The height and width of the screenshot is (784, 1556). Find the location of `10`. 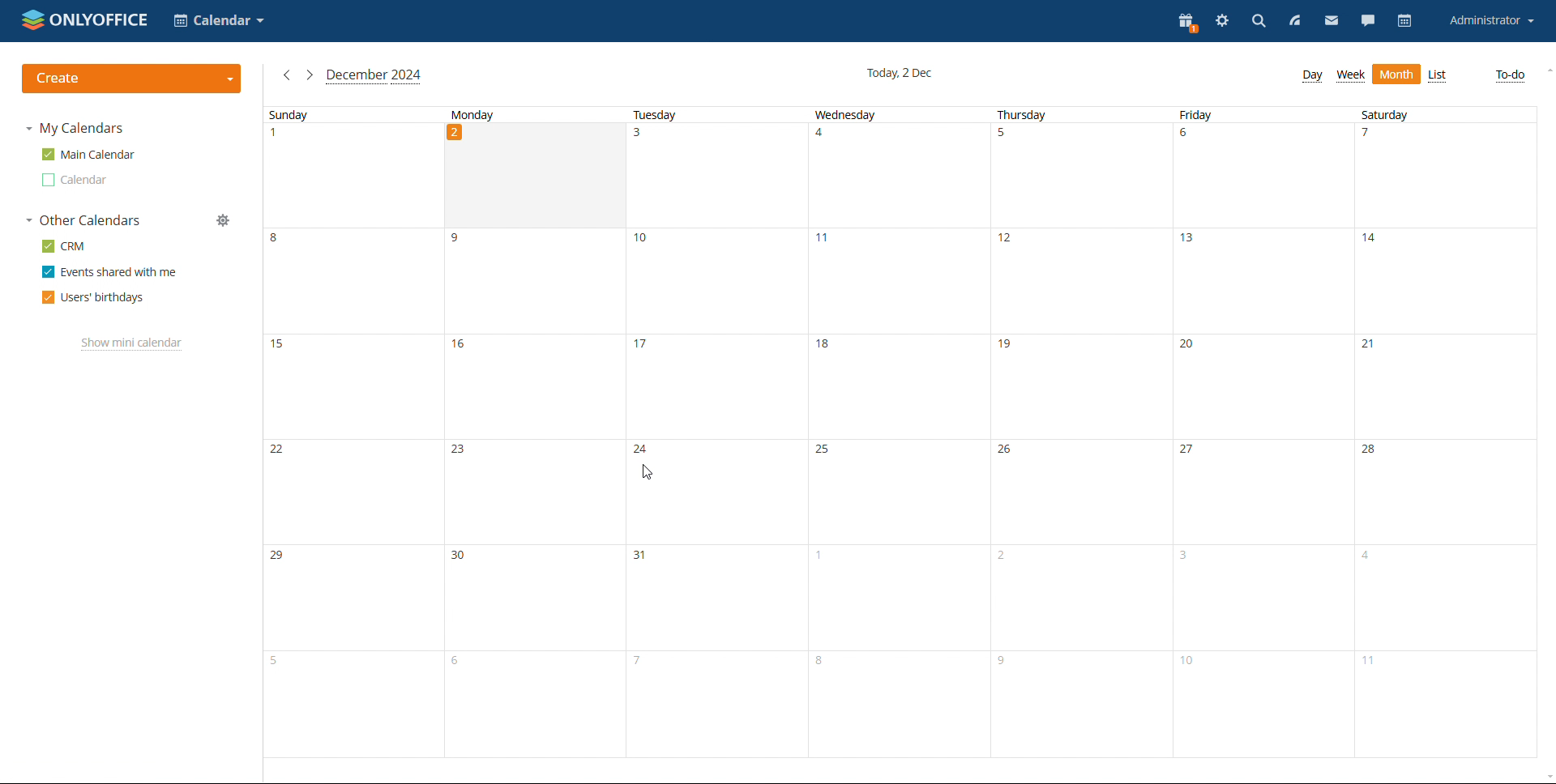

10 is located at coordinates (1193, 666).